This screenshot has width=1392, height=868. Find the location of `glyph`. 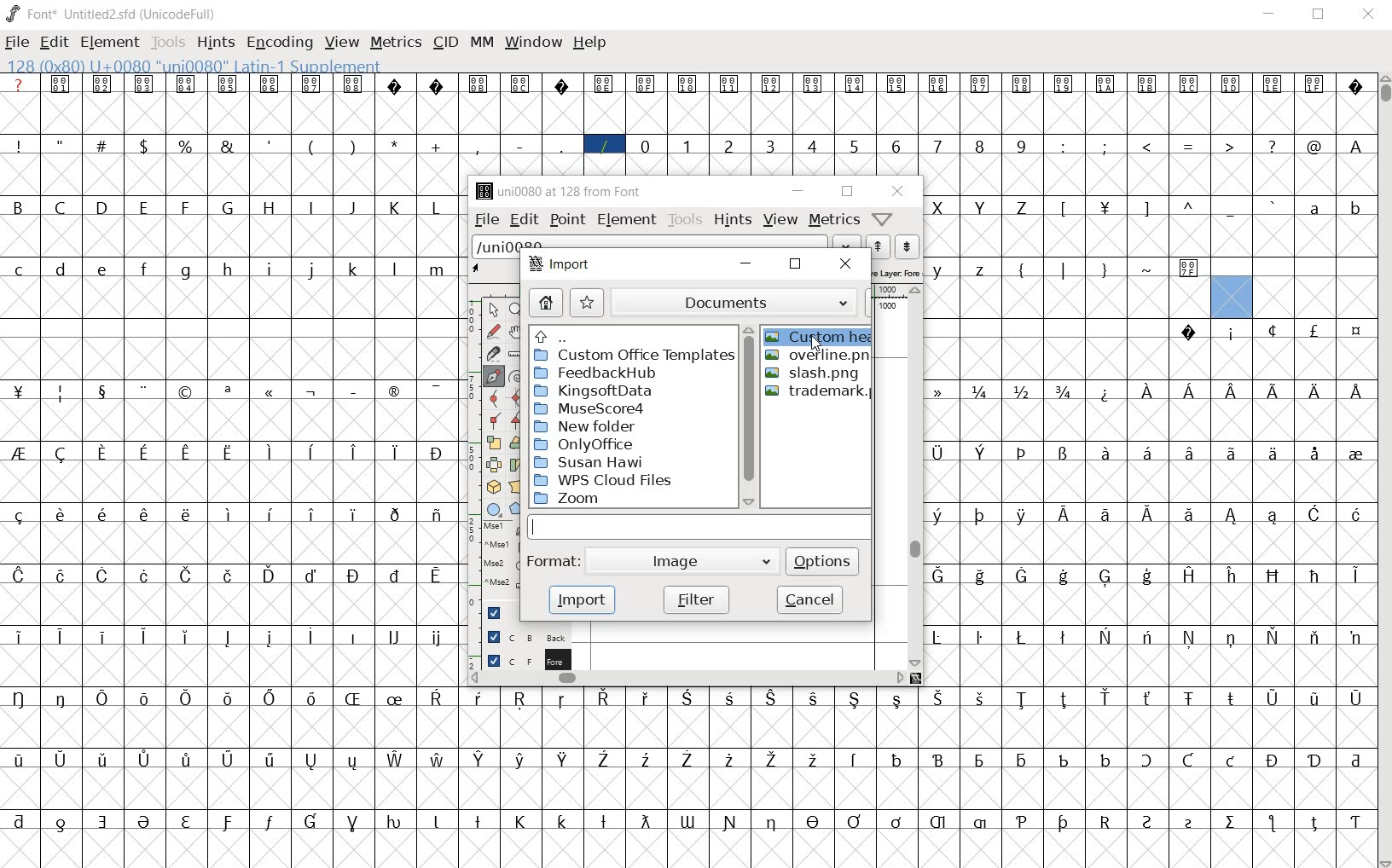

glyph is located at coordinates (1145, 210).